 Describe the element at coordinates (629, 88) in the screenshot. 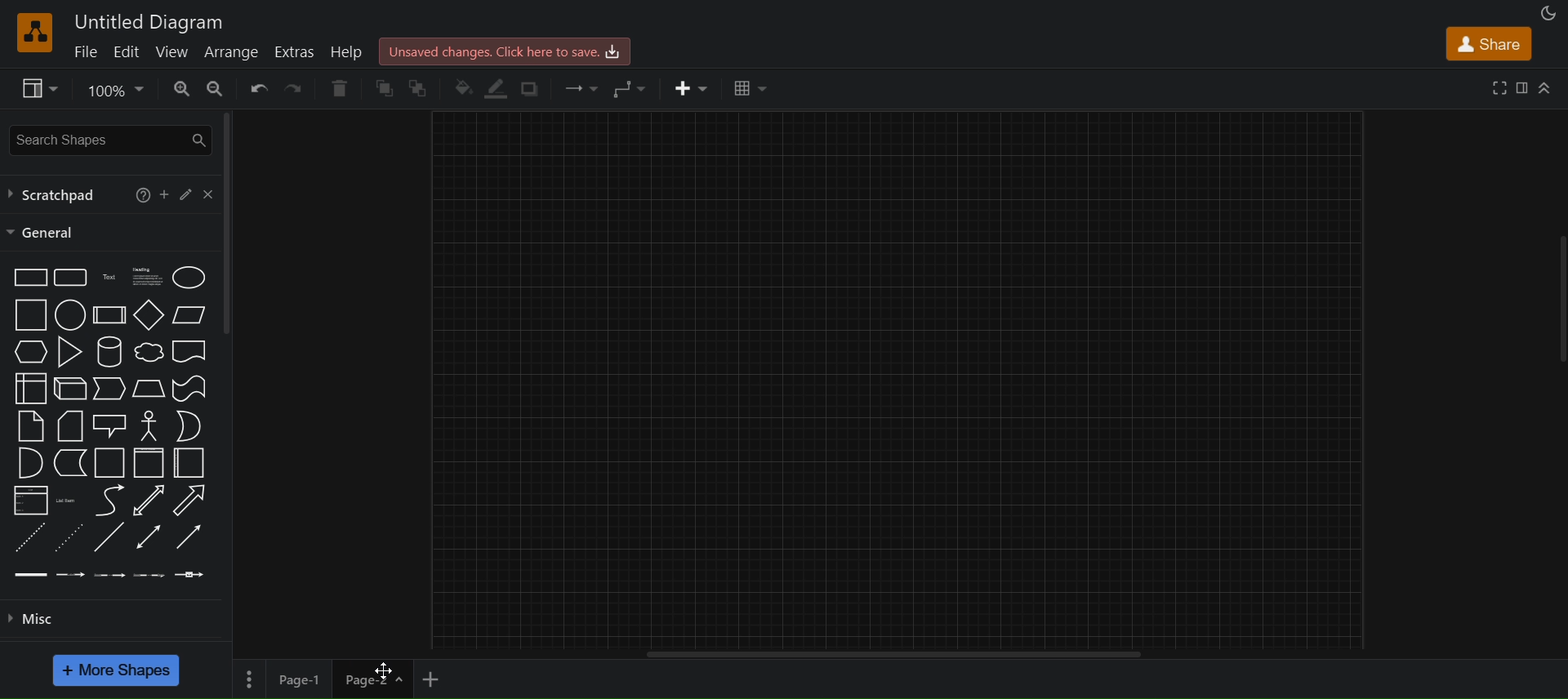

I see `waypoints` at that location.